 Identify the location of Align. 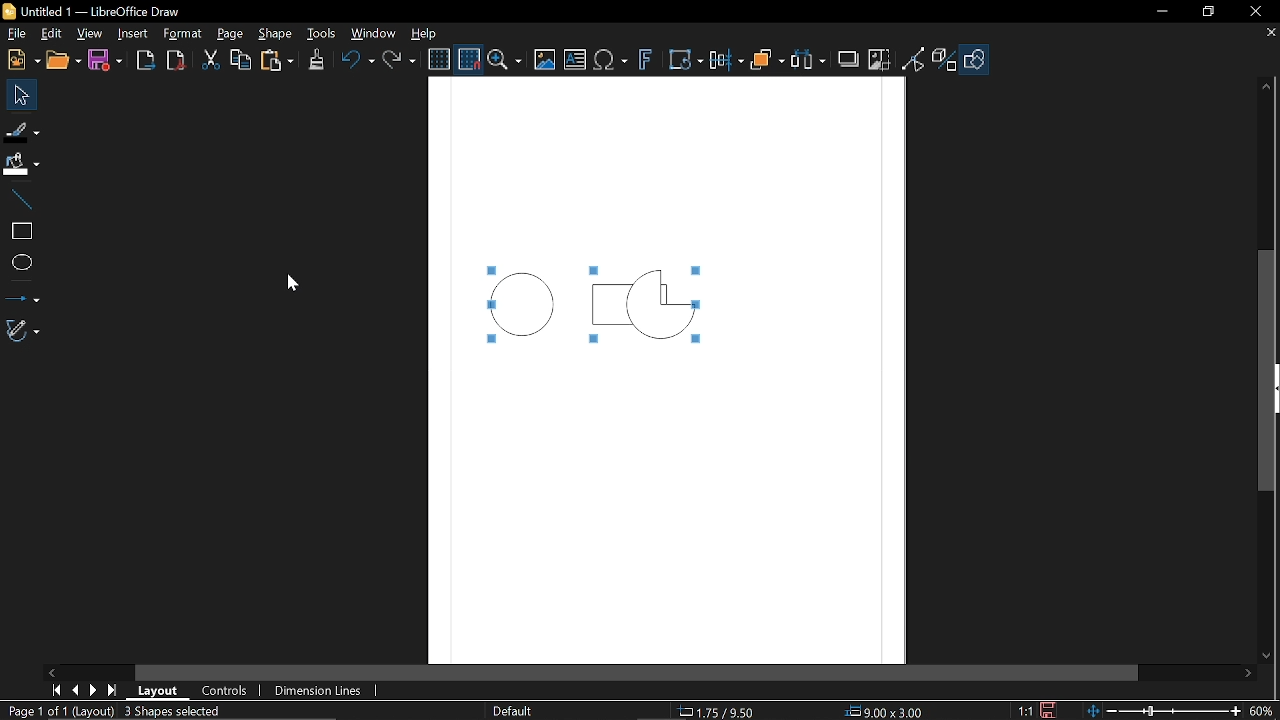
(726, 60).